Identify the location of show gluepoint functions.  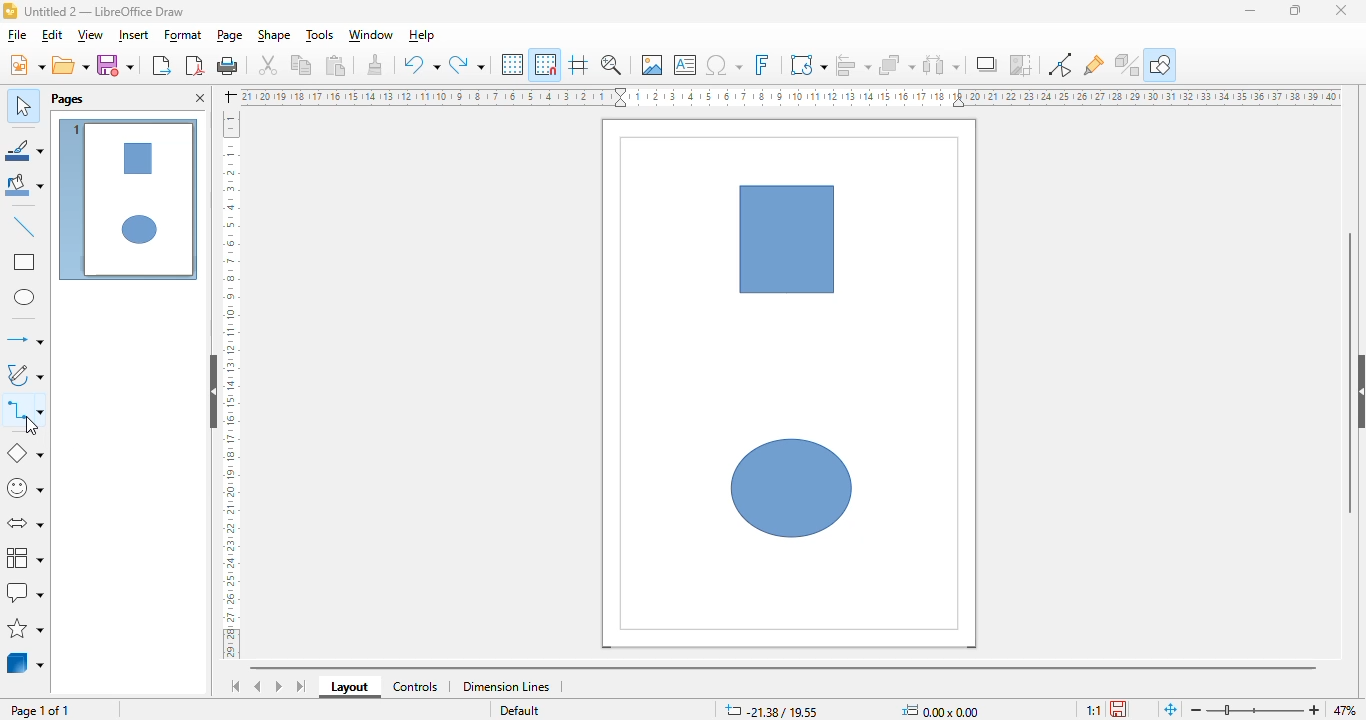
(1094, 66).